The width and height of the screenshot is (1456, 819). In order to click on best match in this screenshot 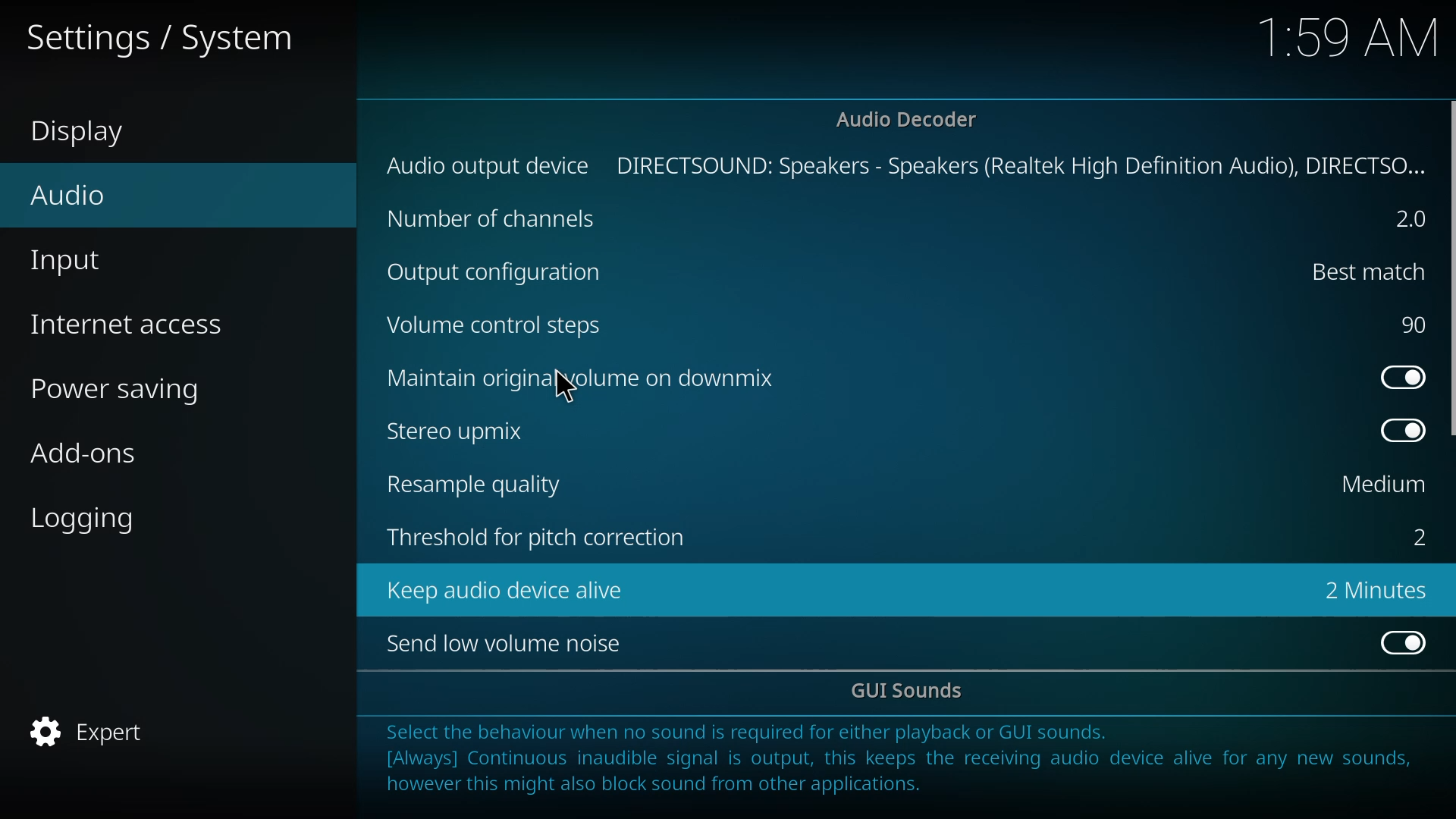, I will do `click(1359, 270)`.